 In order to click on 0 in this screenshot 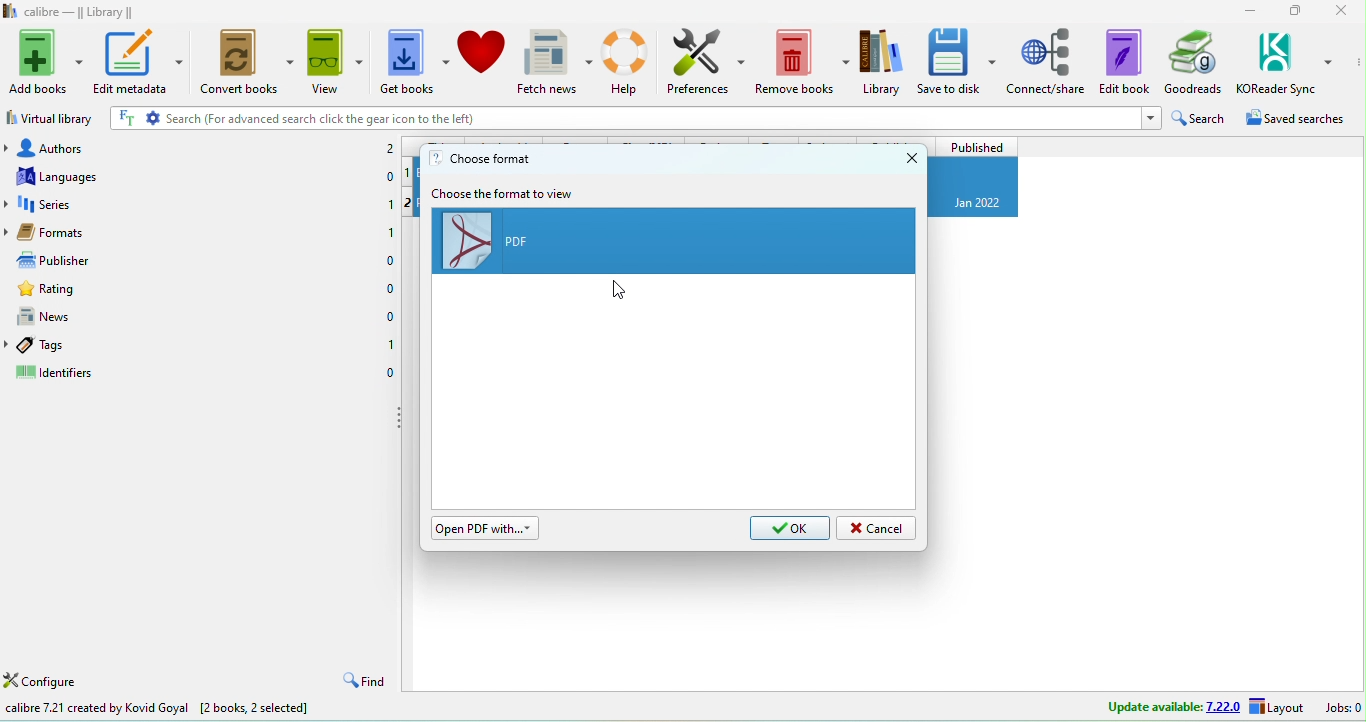, I will do `click(388, 289)`.